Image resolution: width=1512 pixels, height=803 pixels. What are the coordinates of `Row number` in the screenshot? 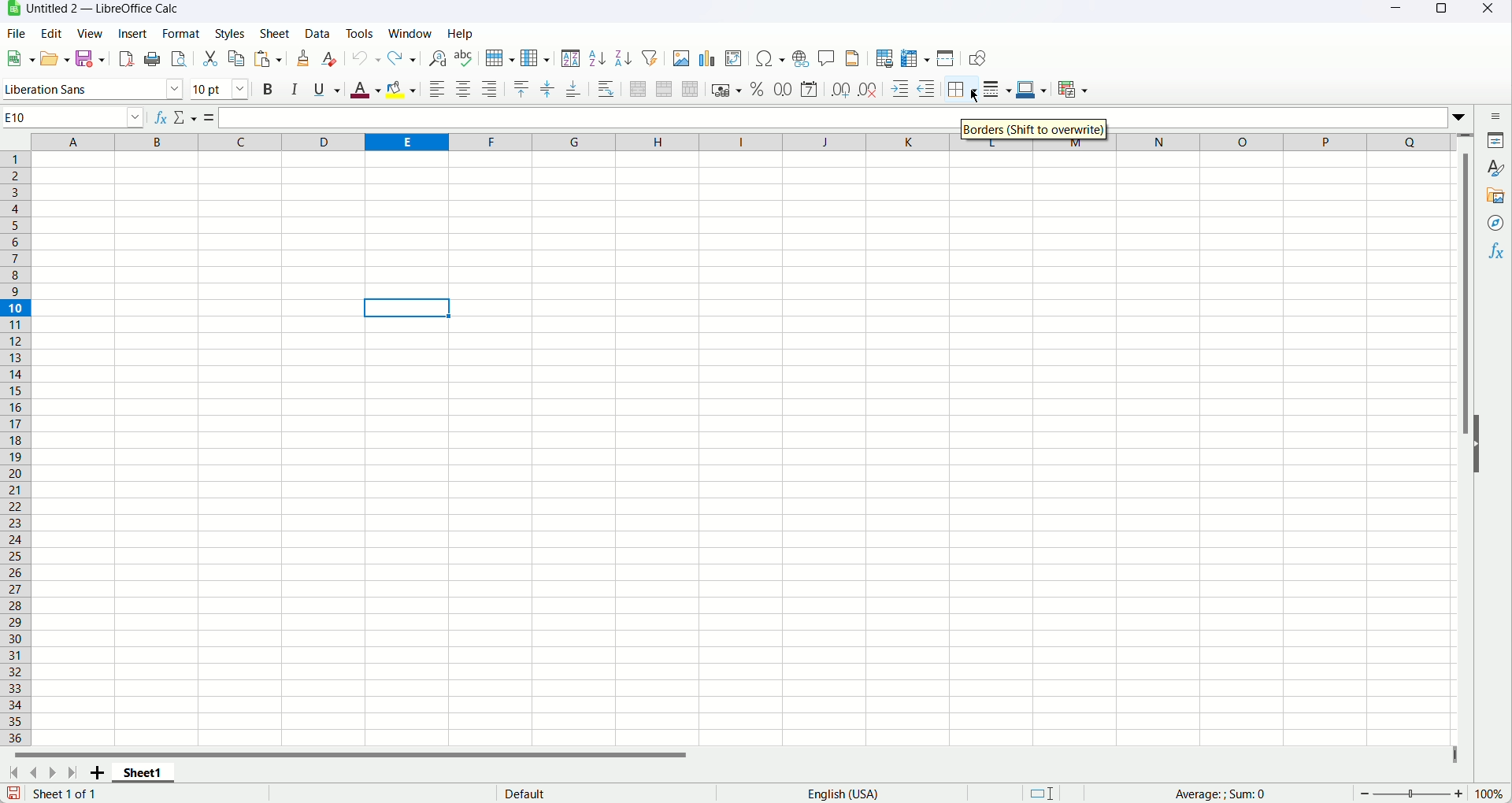 It's located at (17, 450).